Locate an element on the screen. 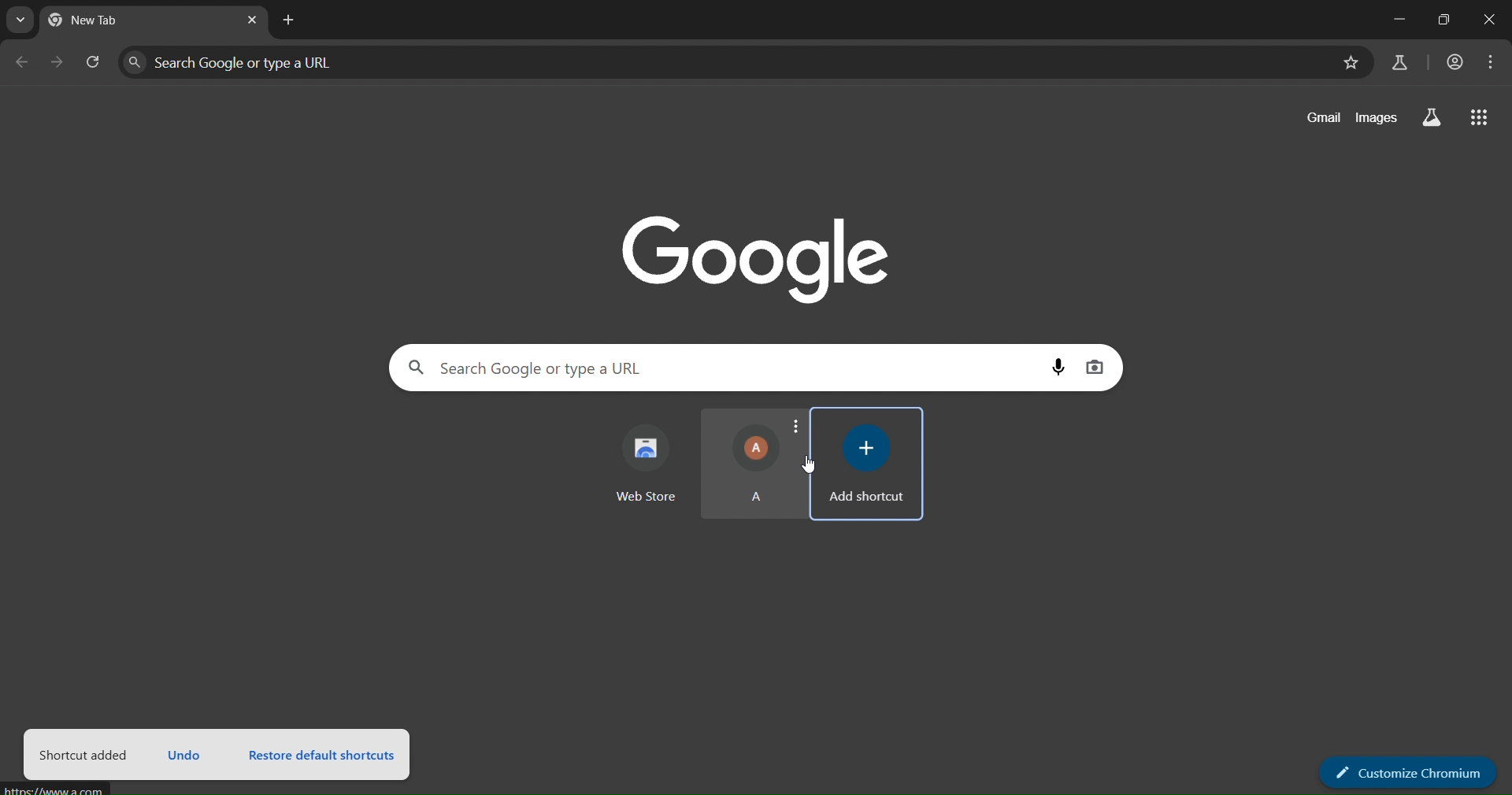 This screenshot has width=1512, height=795. https://www.a.com is located at coordinates (57, 789).